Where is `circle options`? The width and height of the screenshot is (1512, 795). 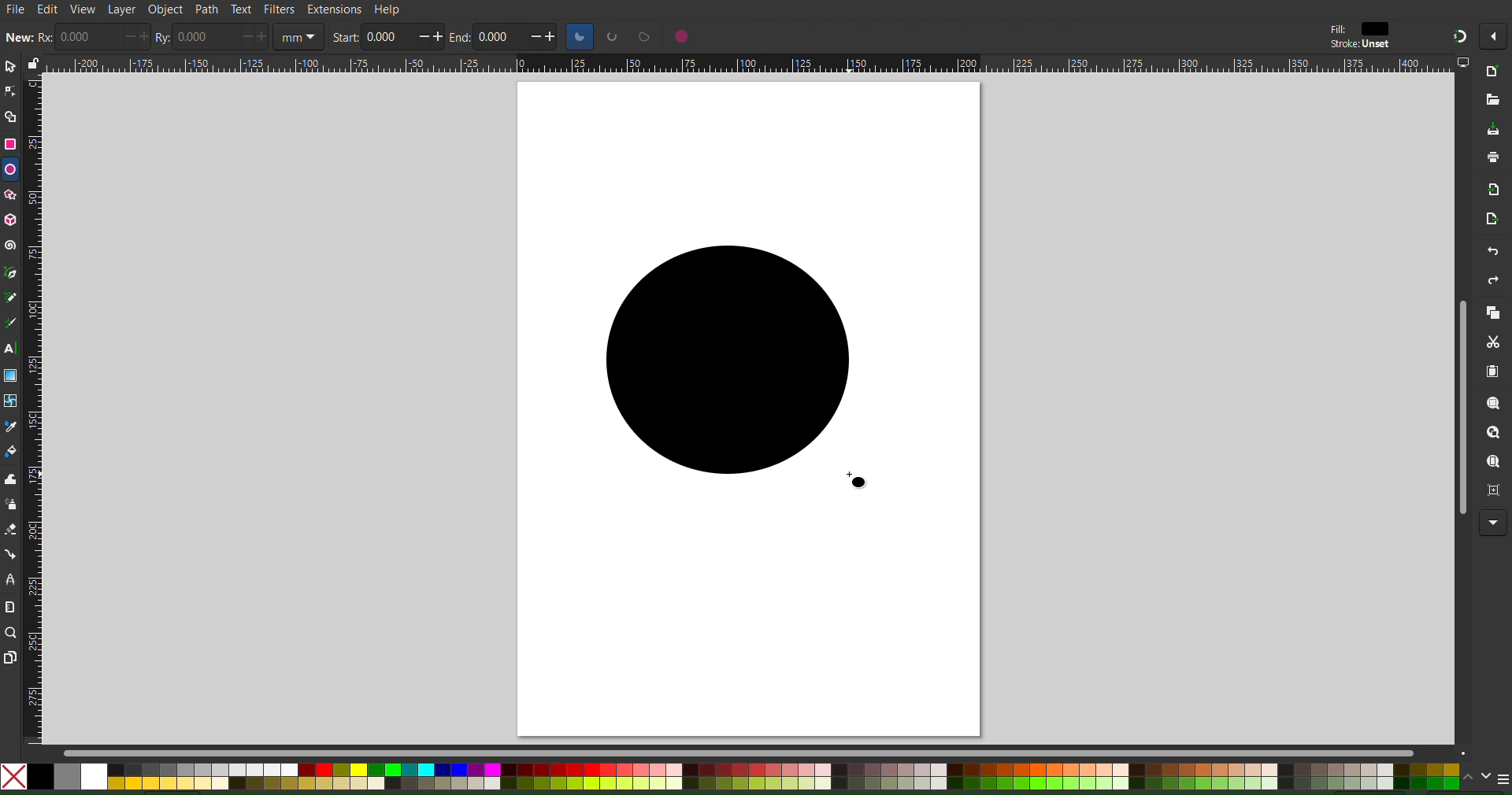 circle options is located at coordinates (612, 36).